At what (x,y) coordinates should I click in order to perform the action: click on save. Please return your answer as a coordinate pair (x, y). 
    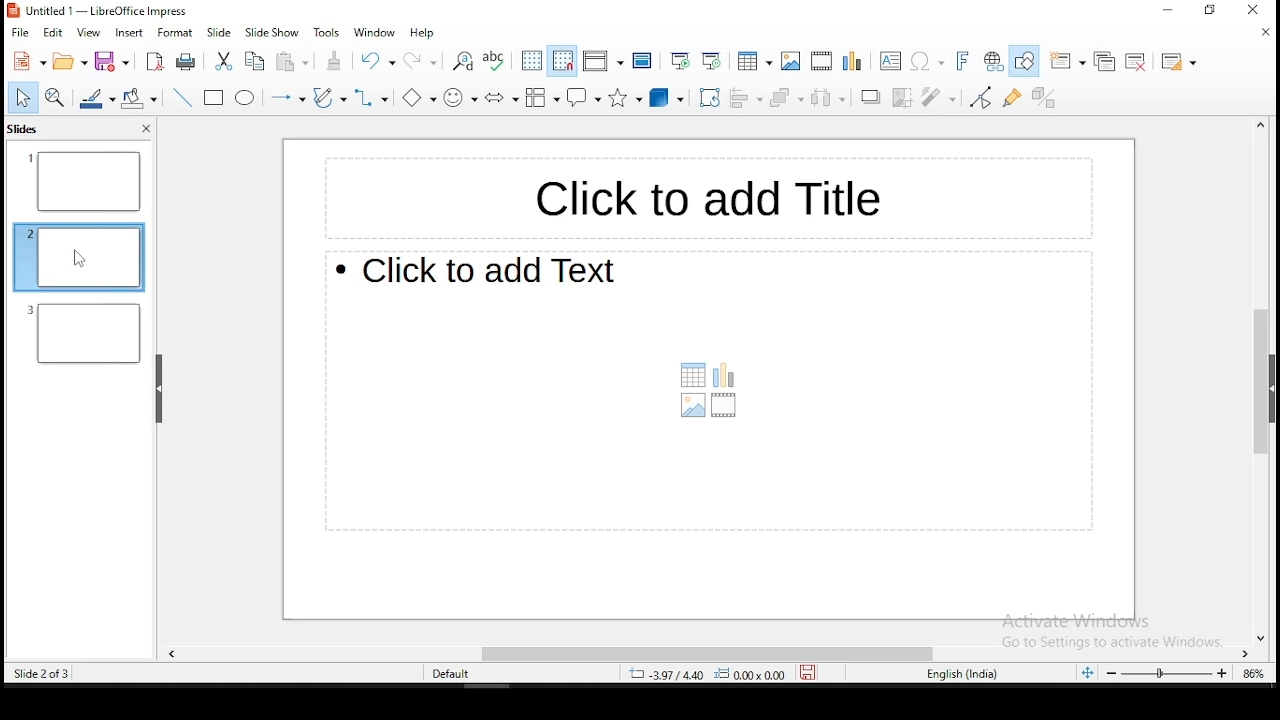
    Looking at the image, I should click on (812, 672).